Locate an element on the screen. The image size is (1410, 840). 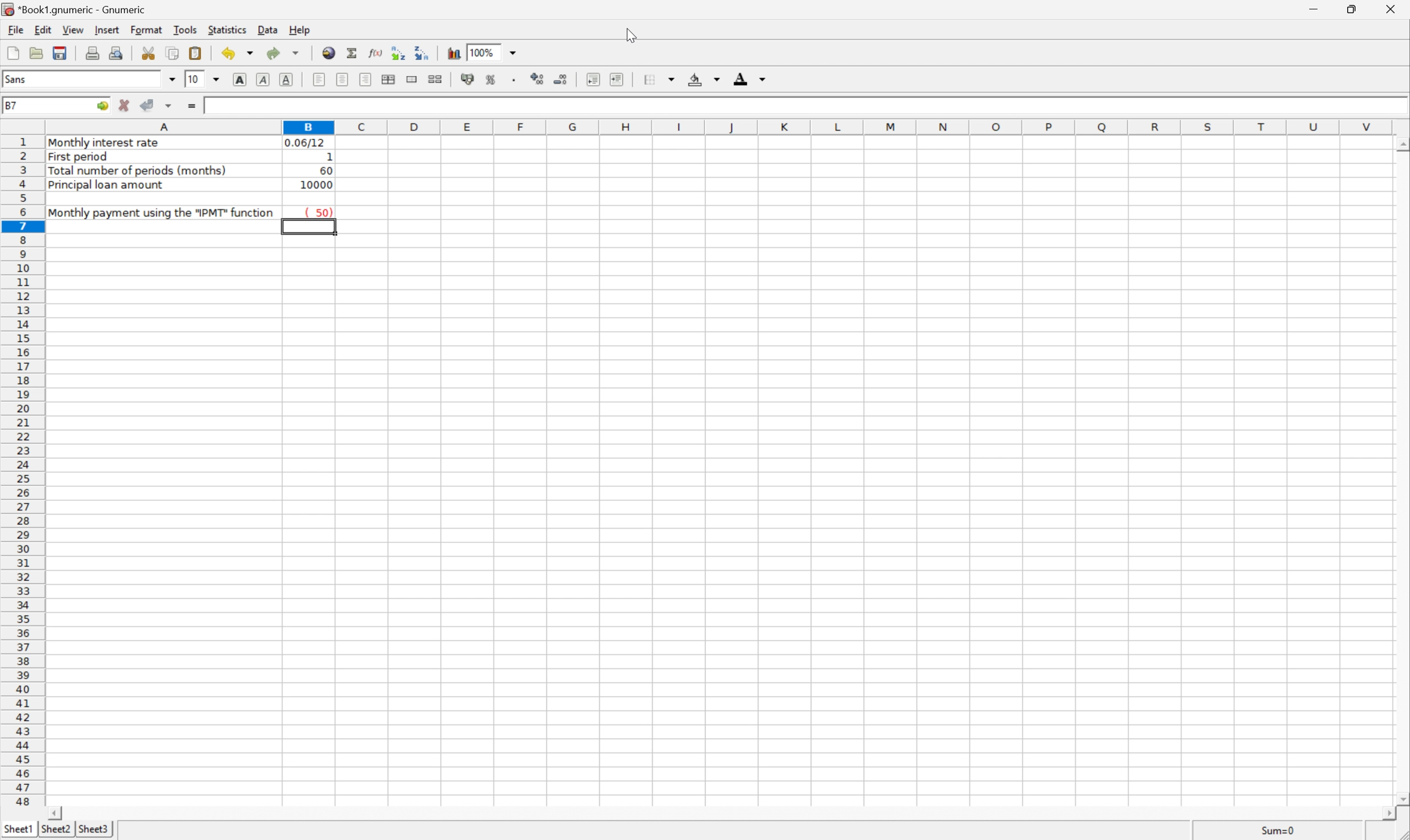
Bold is located at coordinates (240, 78).